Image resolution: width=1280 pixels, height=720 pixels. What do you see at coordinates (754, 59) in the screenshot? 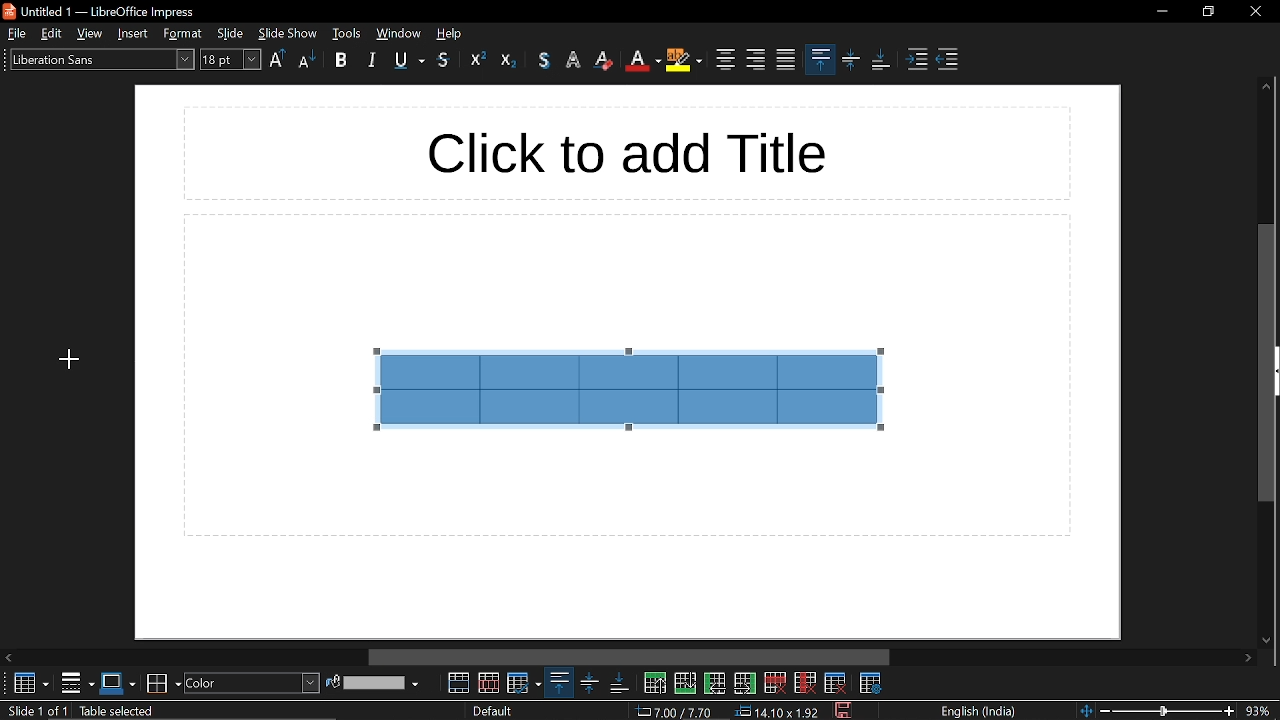
I see `align right` at bounding box center [754, 59].